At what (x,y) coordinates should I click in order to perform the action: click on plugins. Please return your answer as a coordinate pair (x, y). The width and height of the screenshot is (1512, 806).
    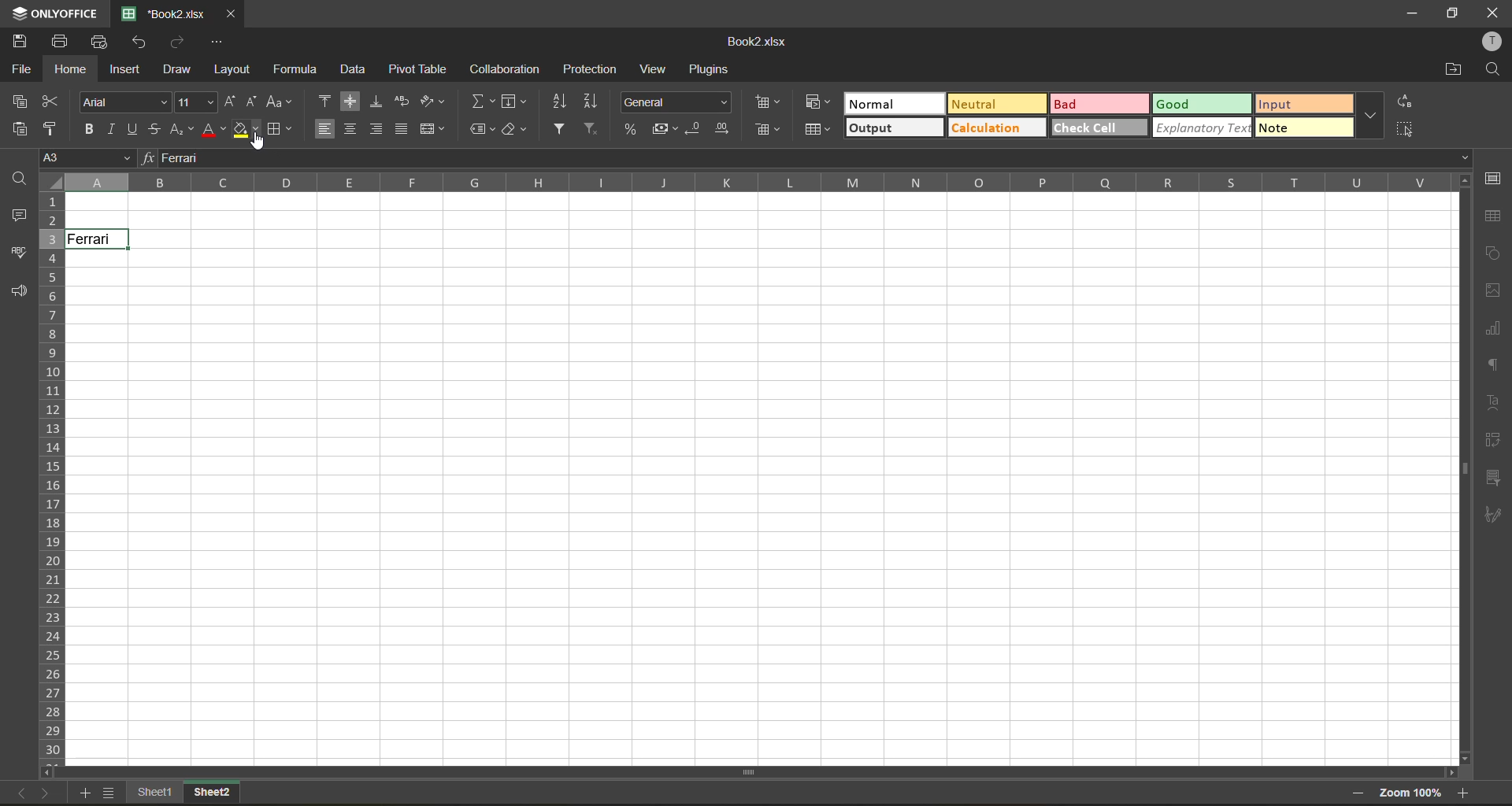
    Looking at the image, I should click on (711, 72).